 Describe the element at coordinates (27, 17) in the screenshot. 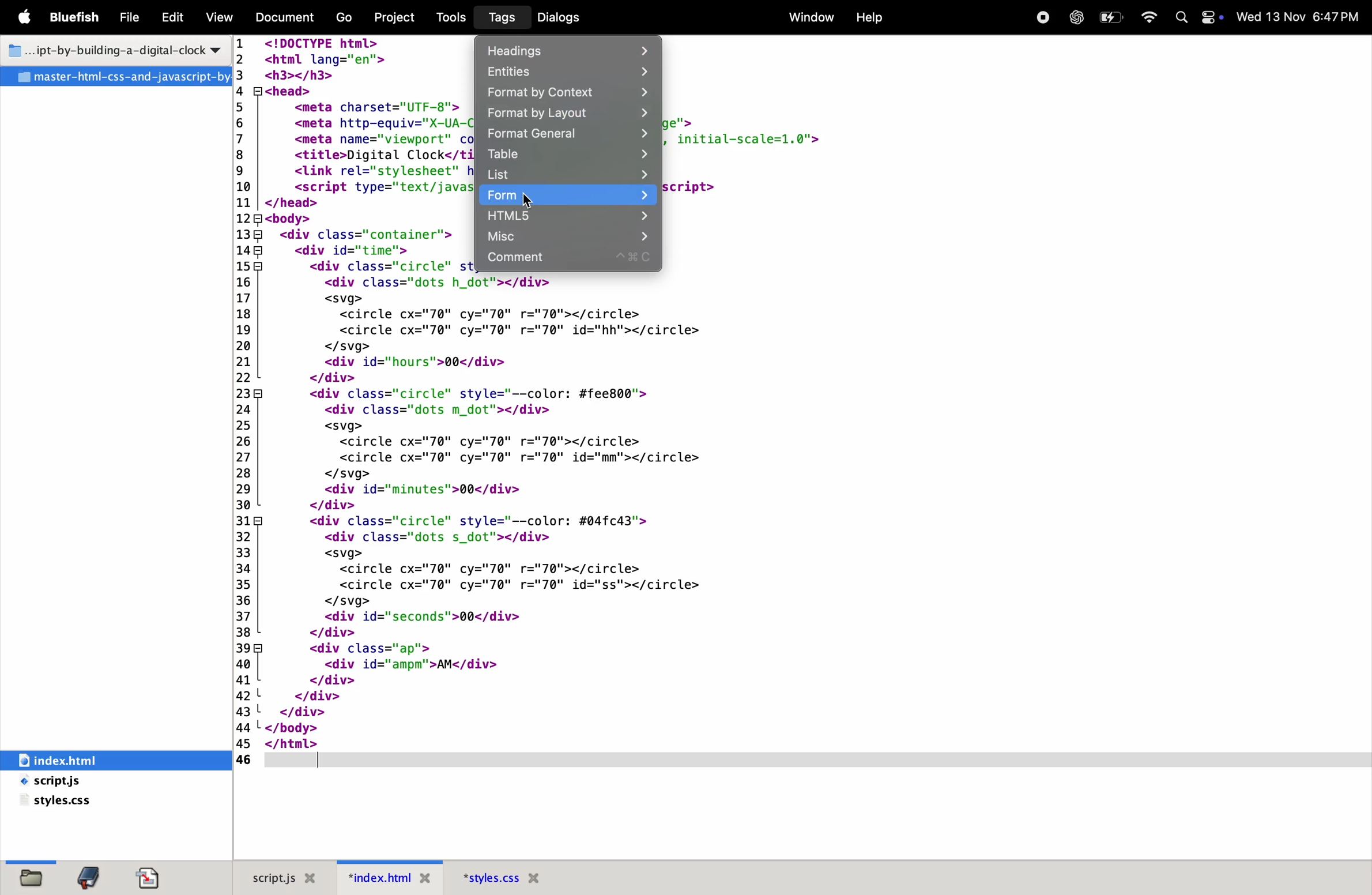

I see `Apple menu` at that location.